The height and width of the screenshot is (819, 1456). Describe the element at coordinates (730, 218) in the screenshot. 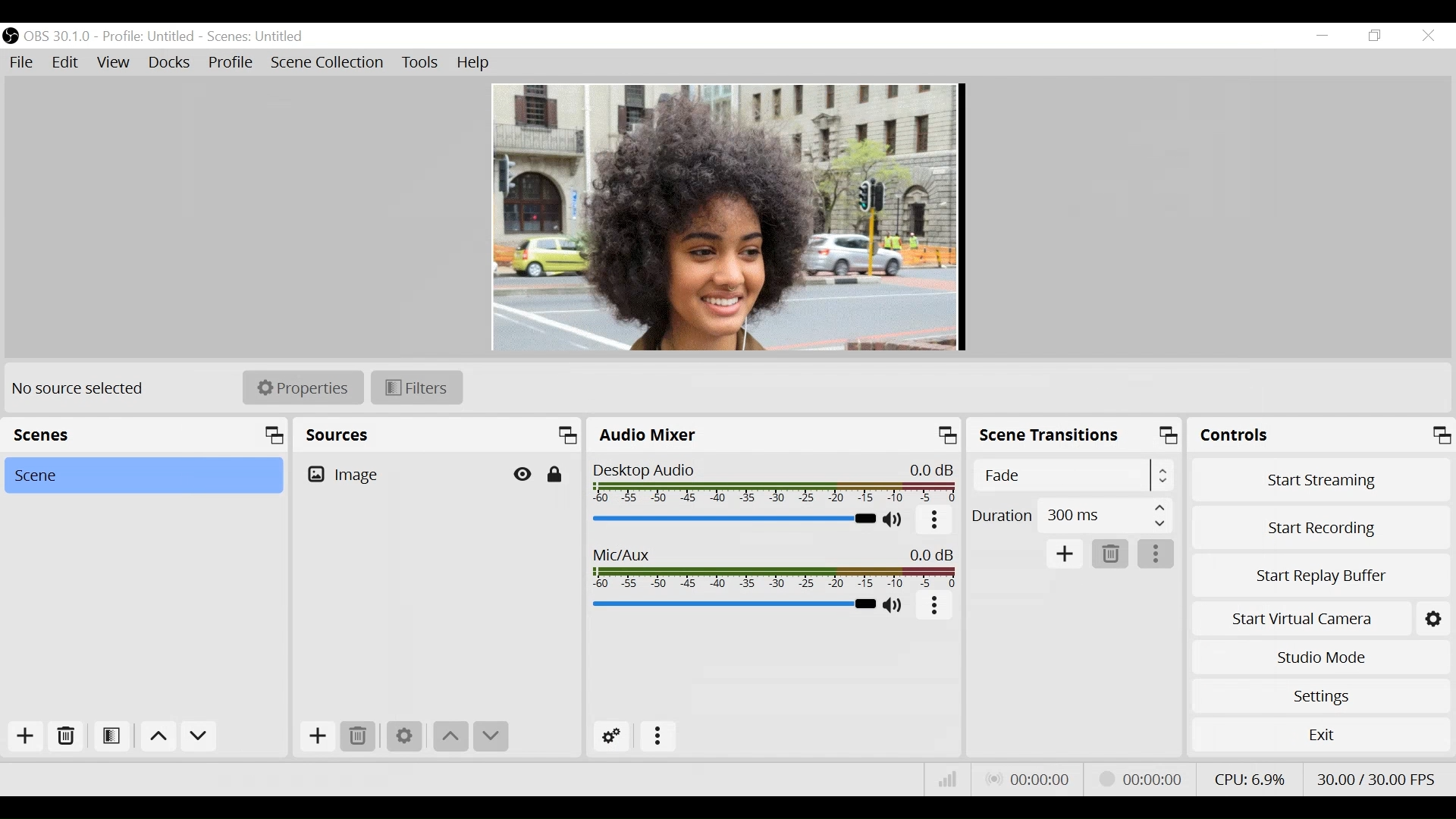

I see `Preview` at that location.